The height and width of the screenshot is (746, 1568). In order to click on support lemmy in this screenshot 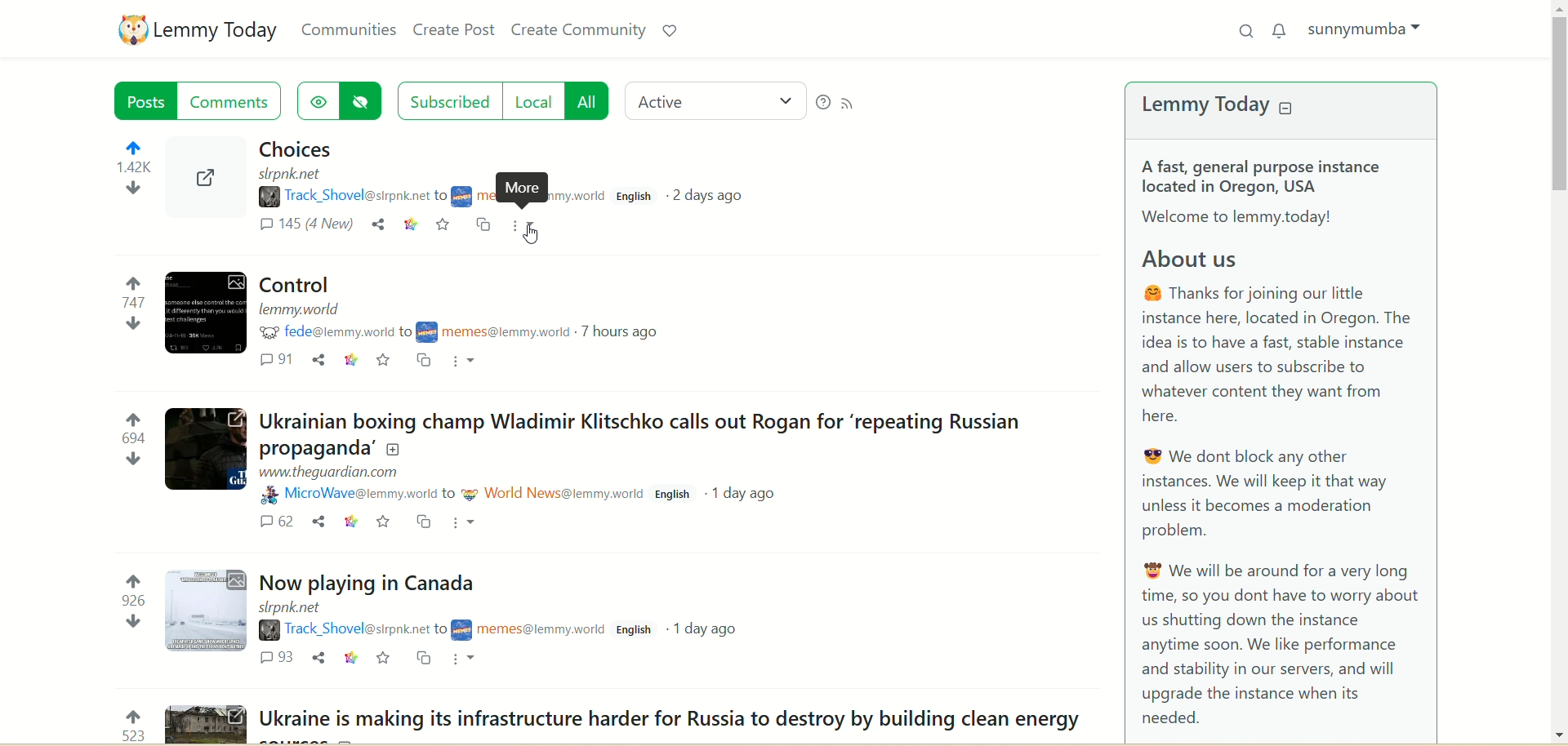, I will do `click(670, 29)`.